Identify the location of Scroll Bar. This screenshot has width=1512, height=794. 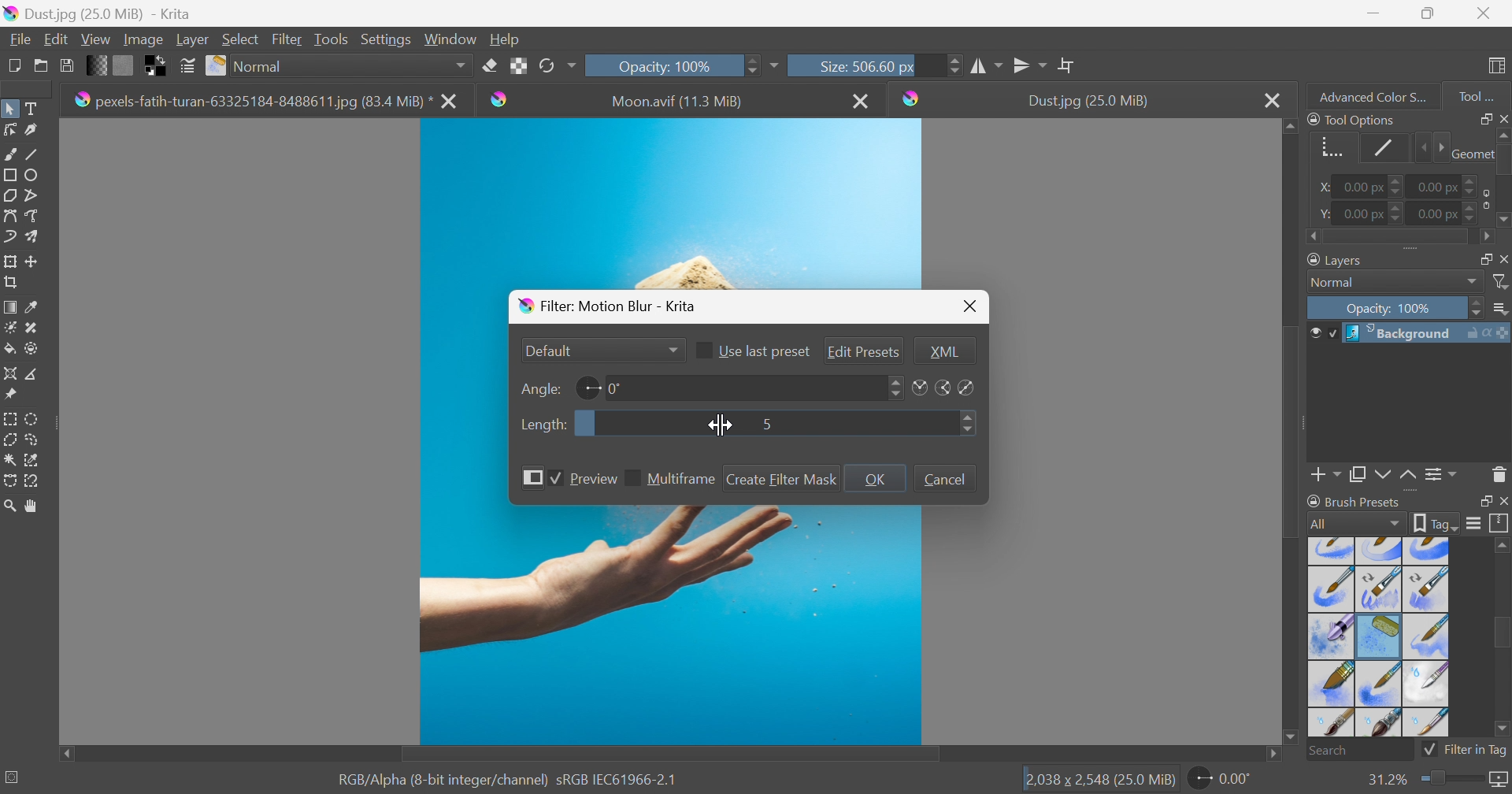
(670, 755).